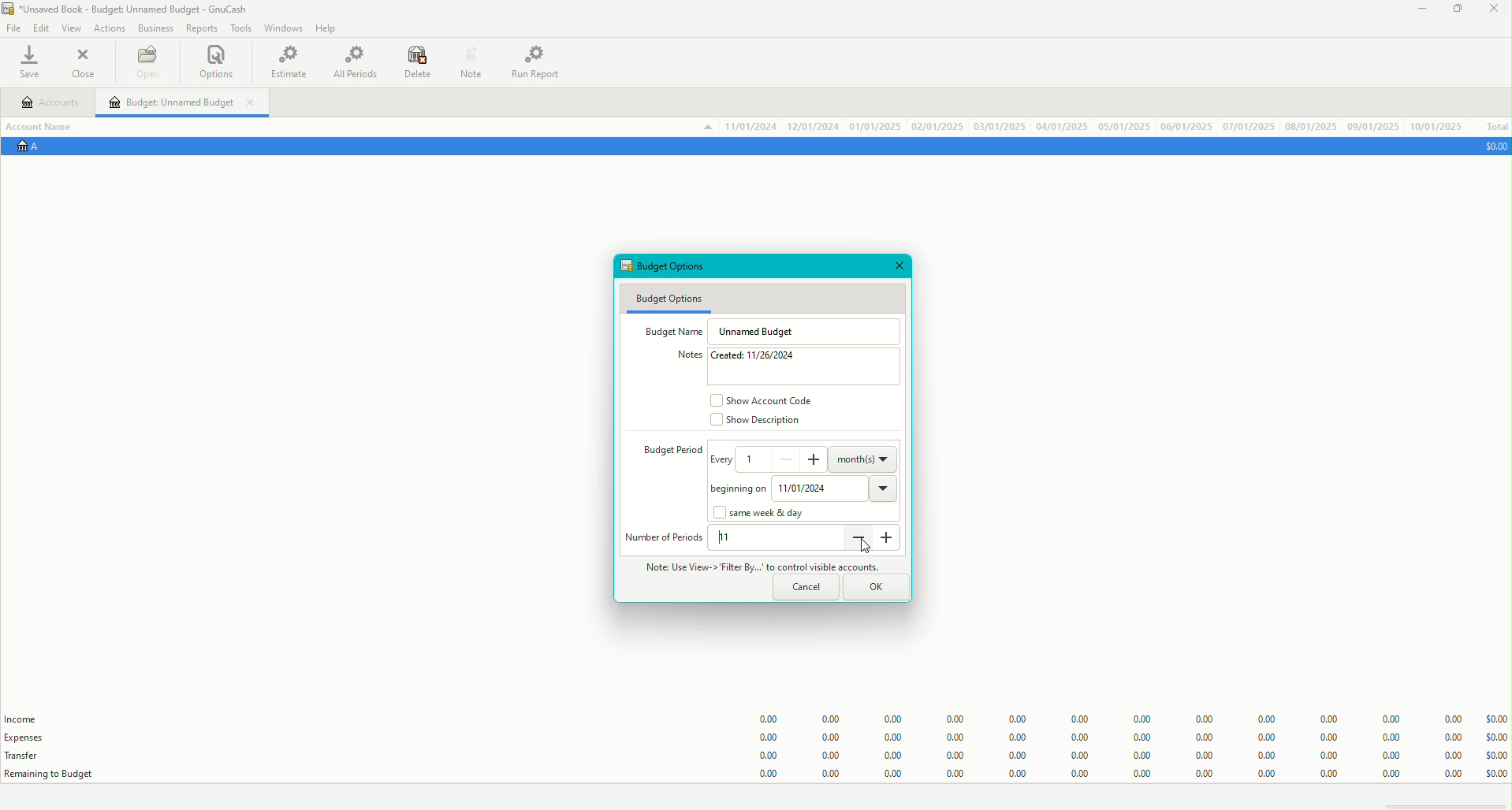 This screenshot has width=1512, height=810. I want to click on Run Report, so click(542, 61).